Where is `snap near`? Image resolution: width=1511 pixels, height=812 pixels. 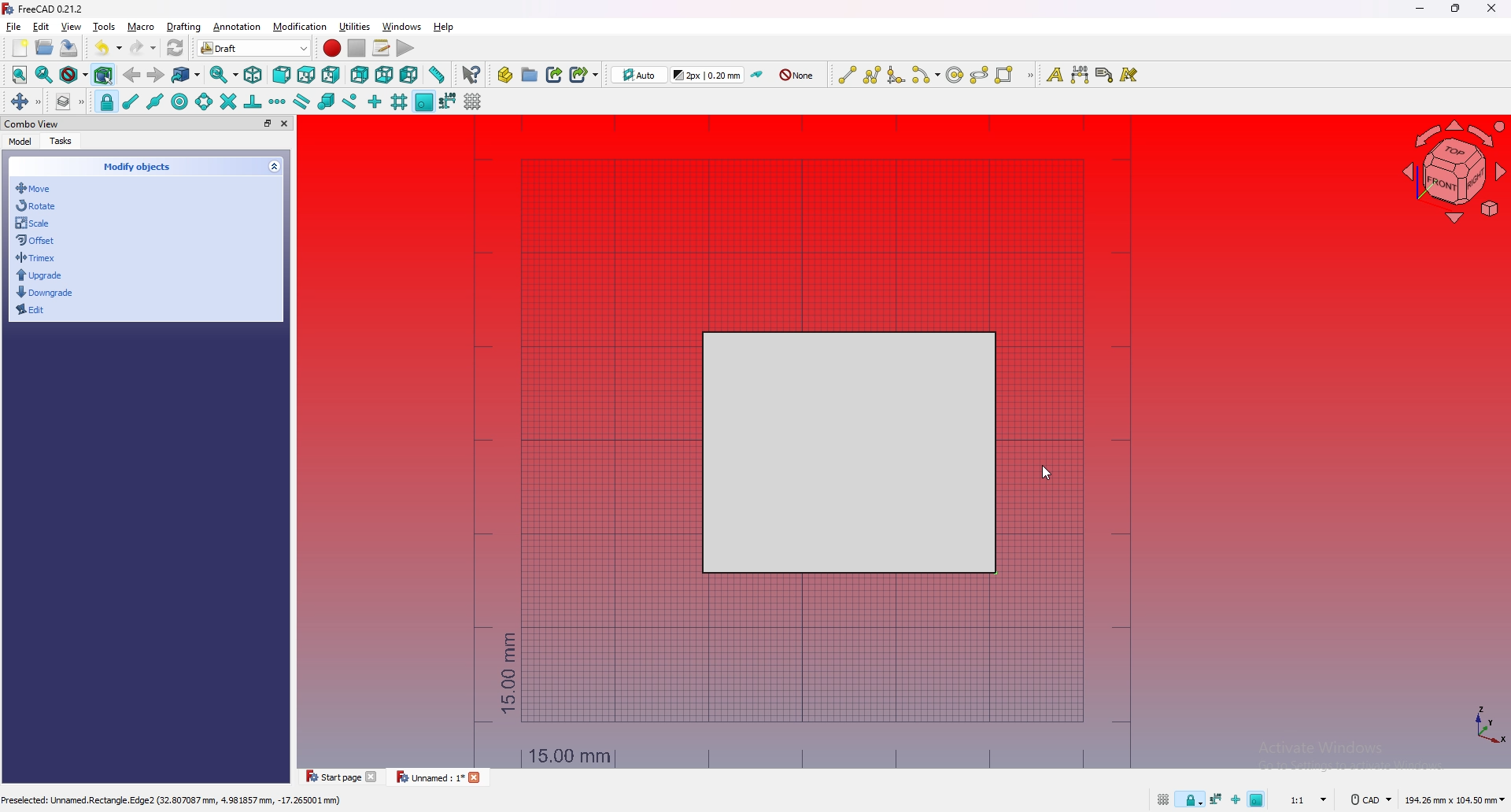
snap near is located at coordinates (350, 102).